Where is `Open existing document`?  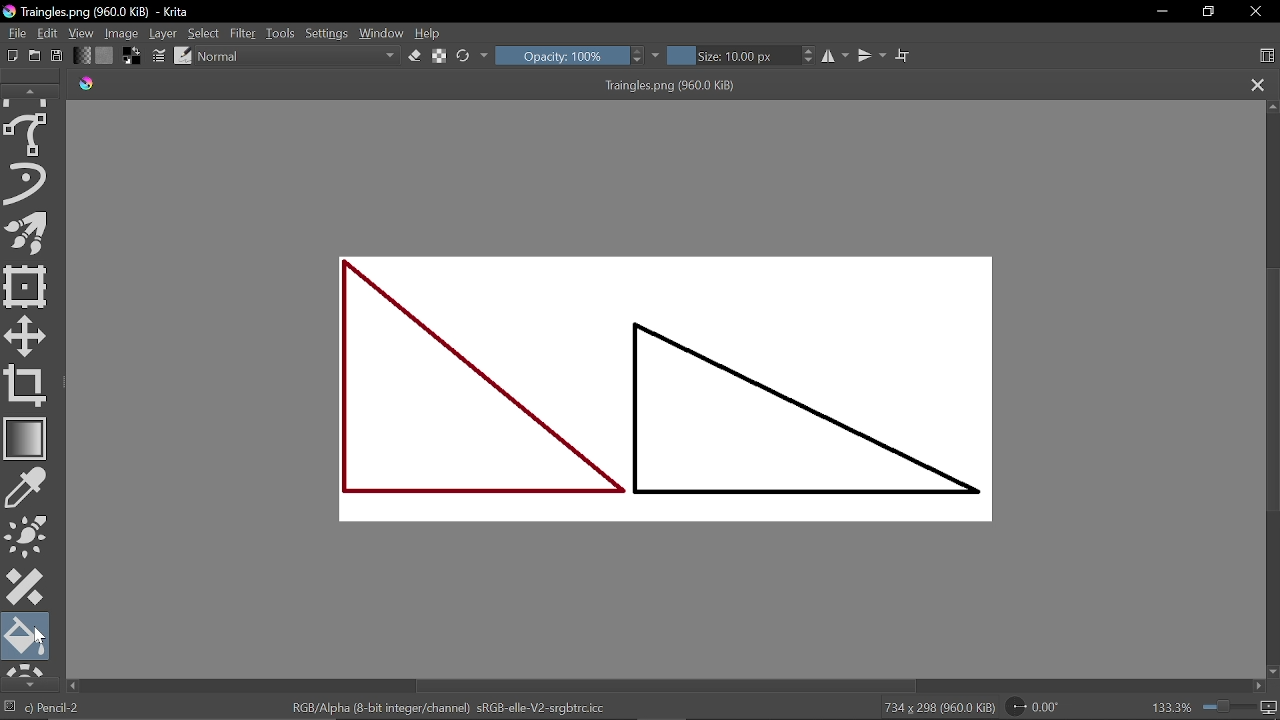
Open existing document is located at coordinates (34, 56).